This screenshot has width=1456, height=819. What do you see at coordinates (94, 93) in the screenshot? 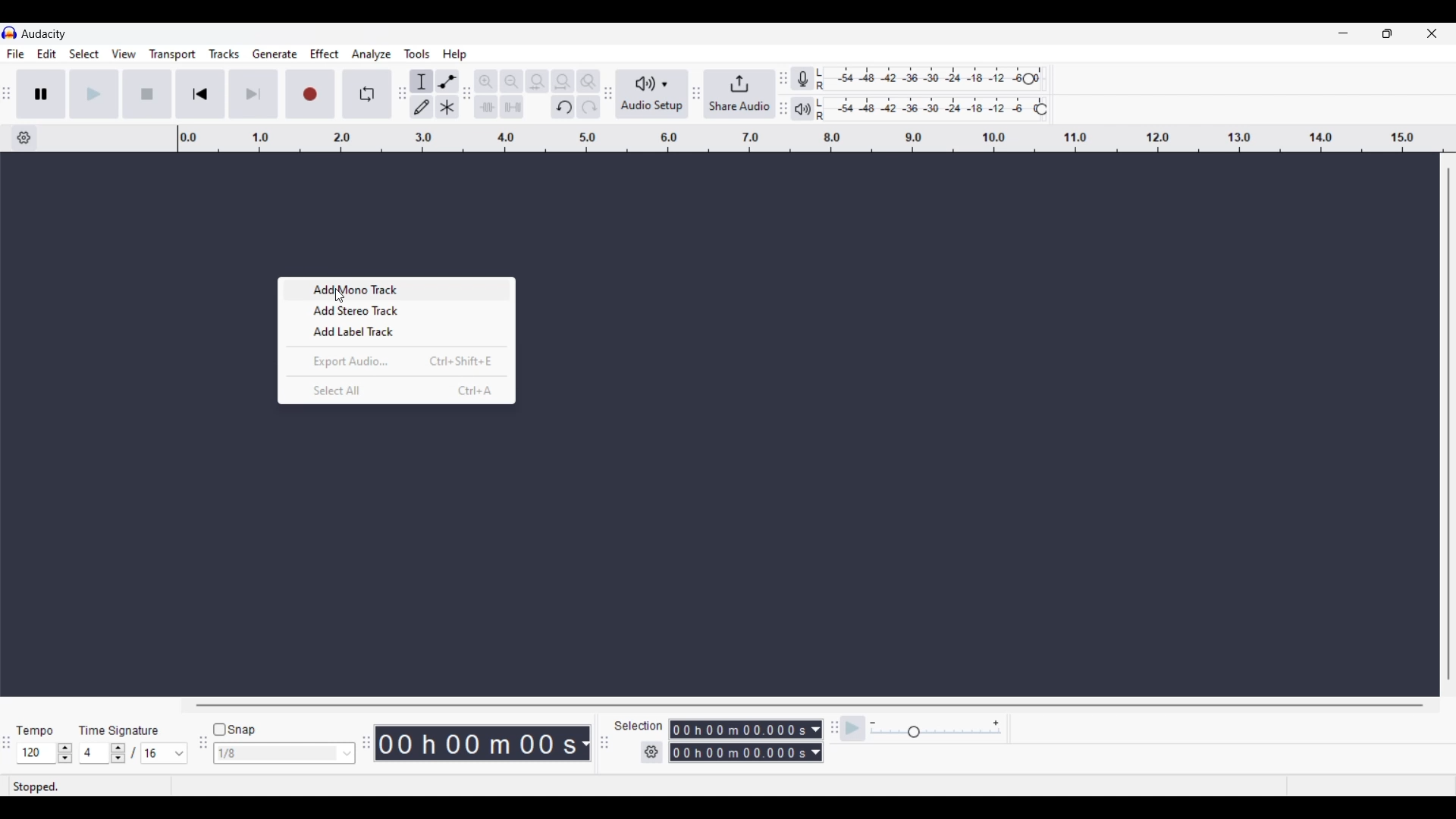
I see `Play/Play once` at bounding box center [94, 93].